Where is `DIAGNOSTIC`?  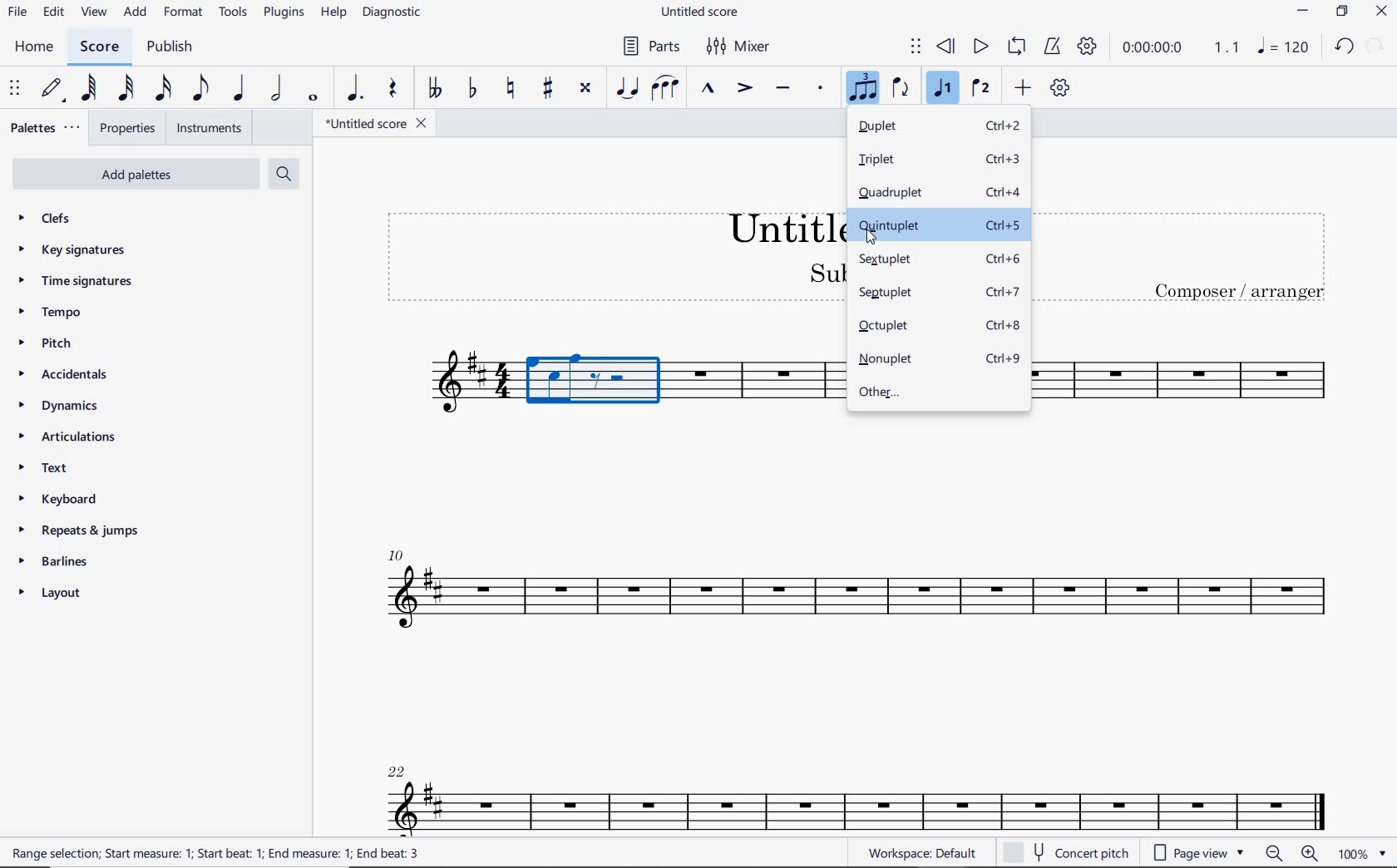 DIAGNOSTIC is located at coordinates (394, 14).